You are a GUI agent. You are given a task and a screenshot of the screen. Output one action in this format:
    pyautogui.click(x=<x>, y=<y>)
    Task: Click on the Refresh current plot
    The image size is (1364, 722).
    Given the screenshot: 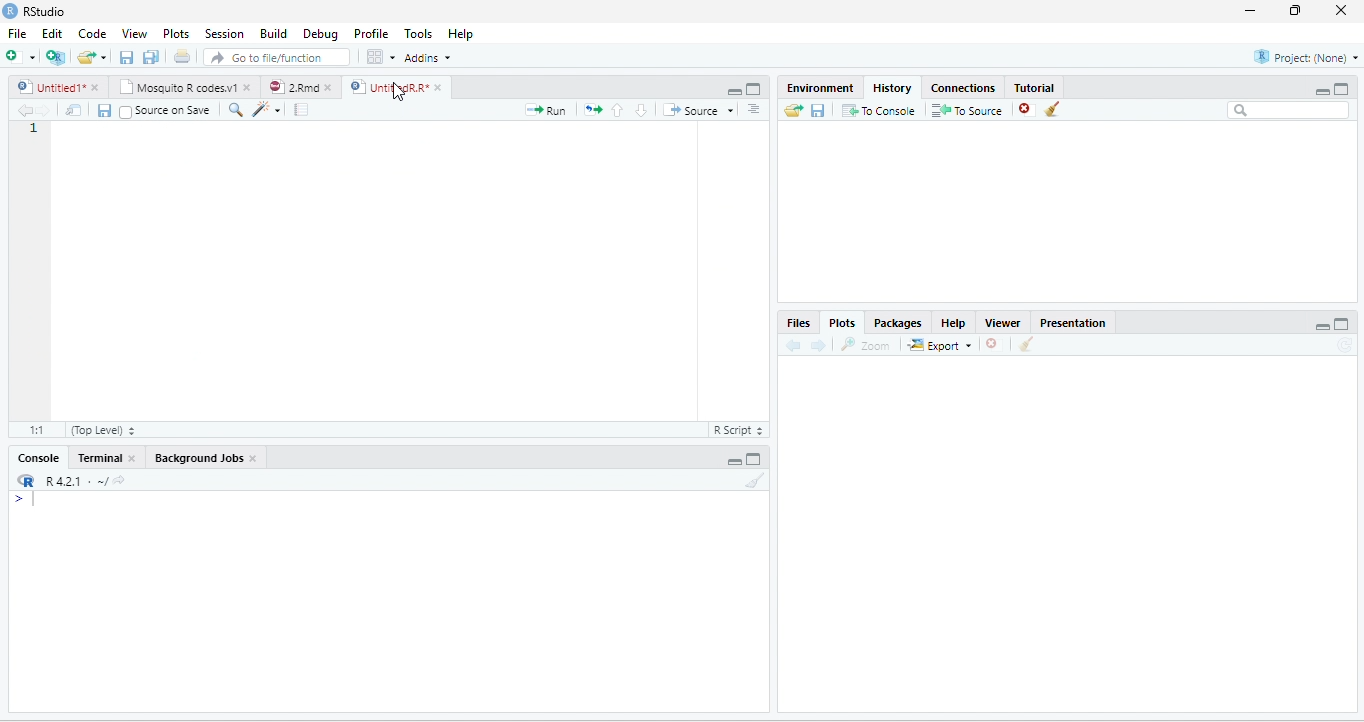 What is the action you would take?
    pyautogui.click(x=1344, y=344)
    